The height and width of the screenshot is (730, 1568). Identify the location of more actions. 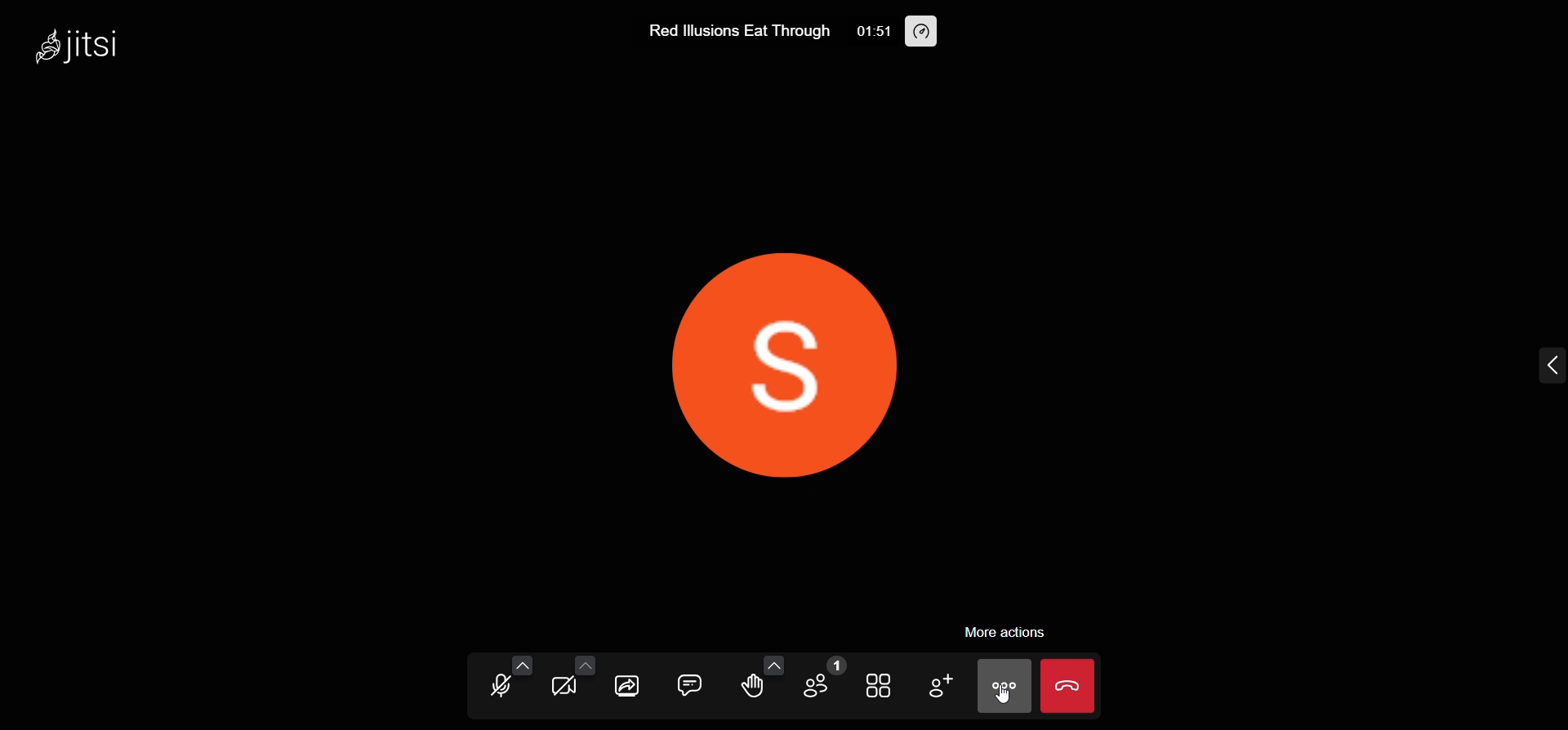
(1006, 631).